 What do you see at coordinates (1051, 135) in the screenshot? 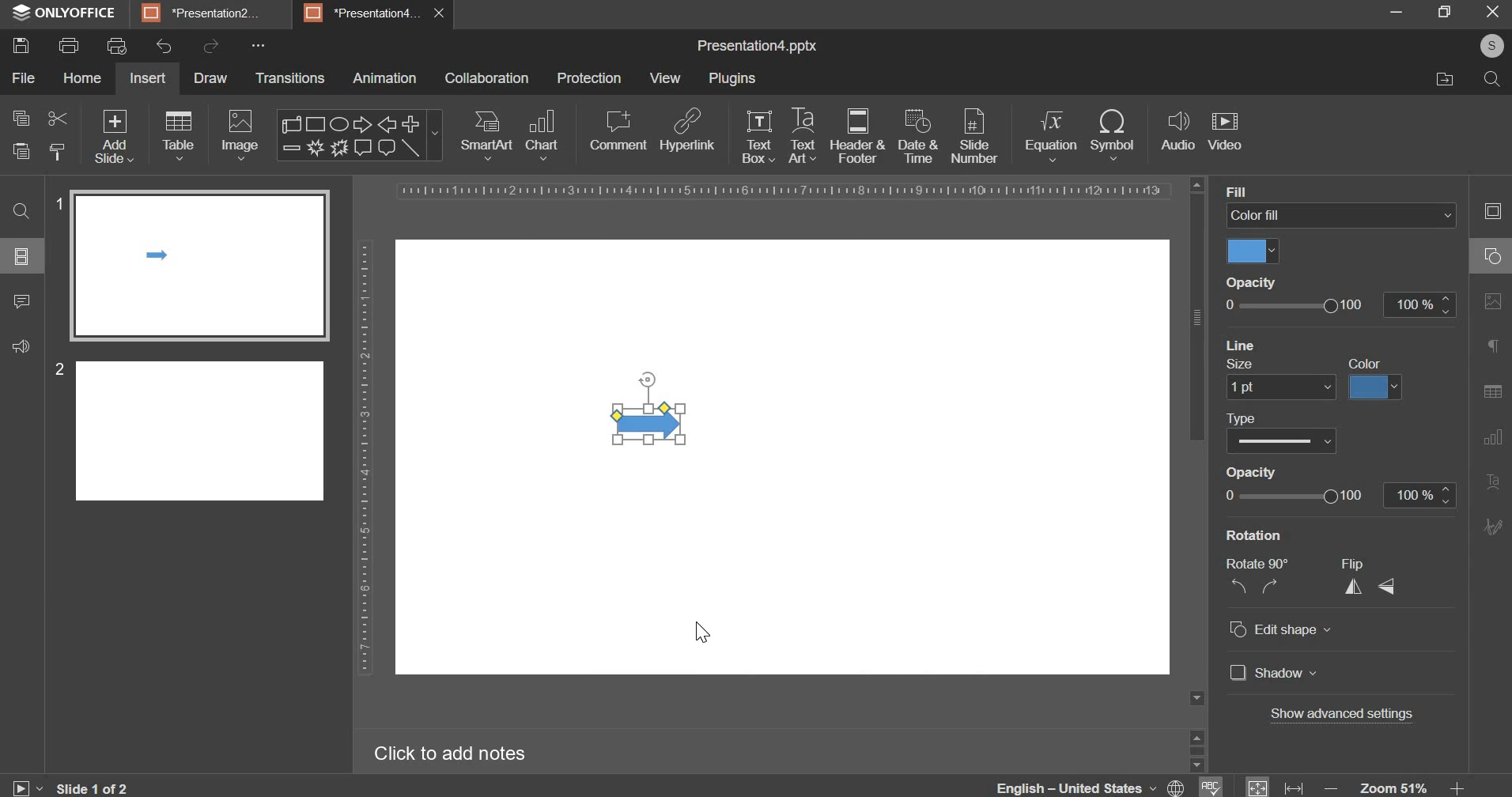
I see `equation` at bounding box center [1051, 135].